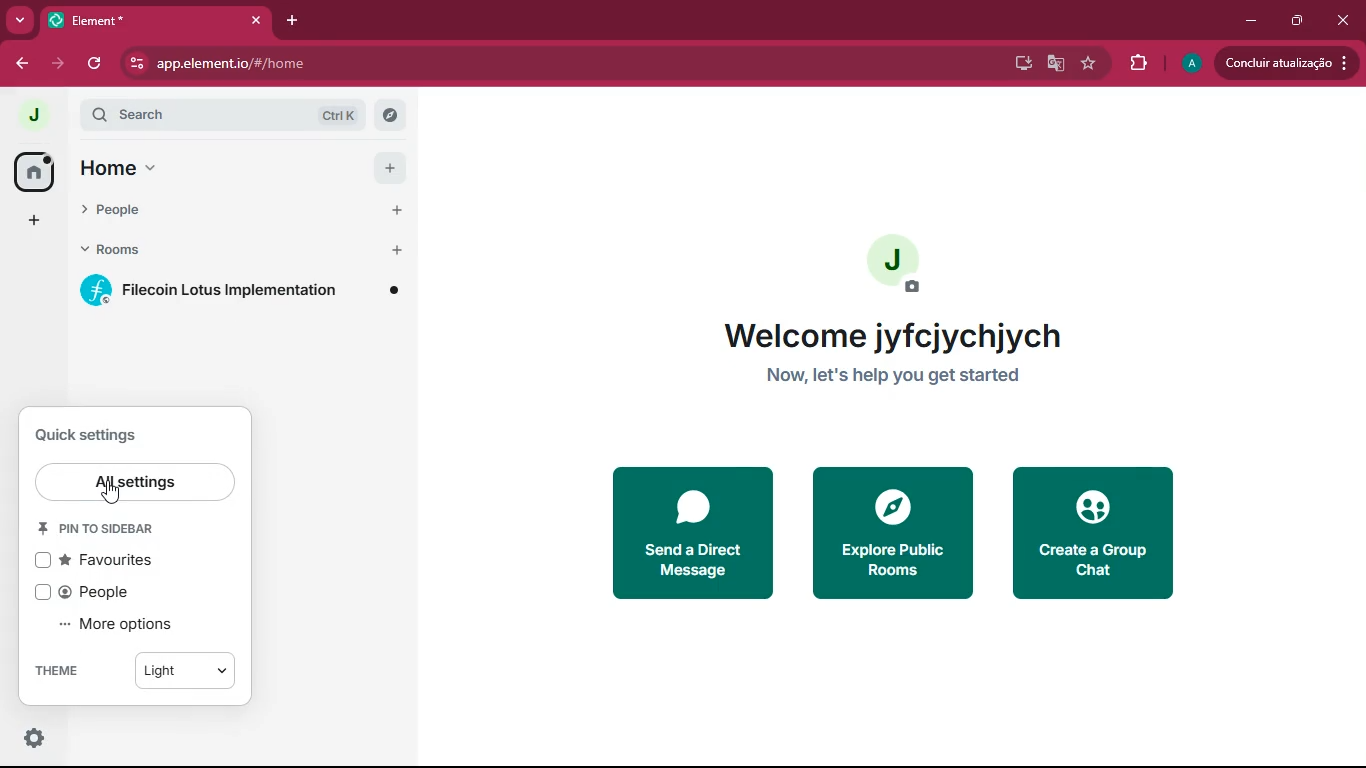 The width and height of the screenshot is (1366, 768). I want to click on add button, so click(394, 208).